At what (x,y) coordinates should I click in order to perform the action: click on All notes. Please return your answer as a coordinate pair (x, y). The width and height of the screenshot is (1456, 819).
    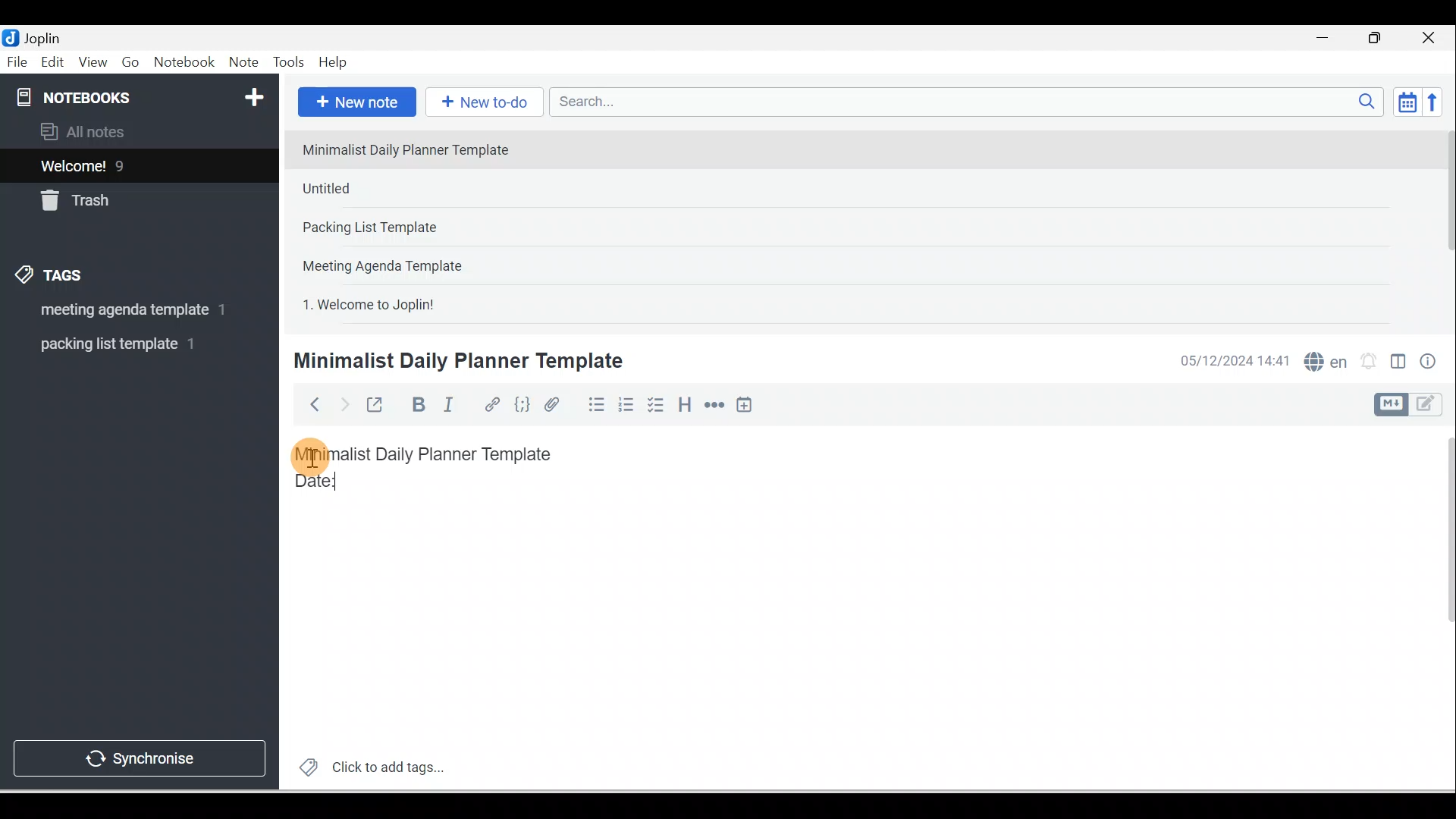
    Looking at the image, I should click on (137, 131).